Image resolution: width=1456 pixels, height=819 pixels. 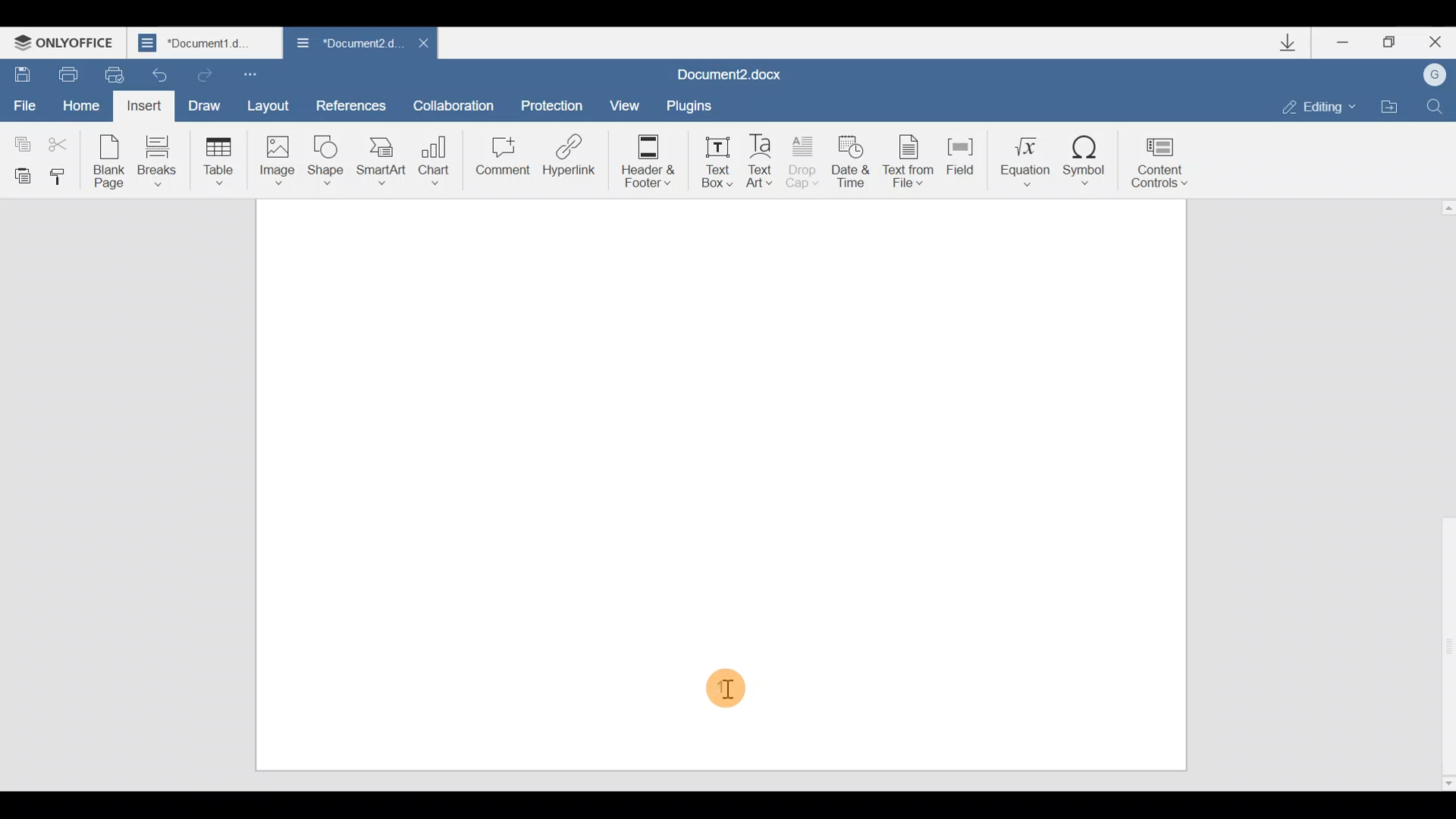 I want to click on Document1.d.., so click(x=206, y=43).